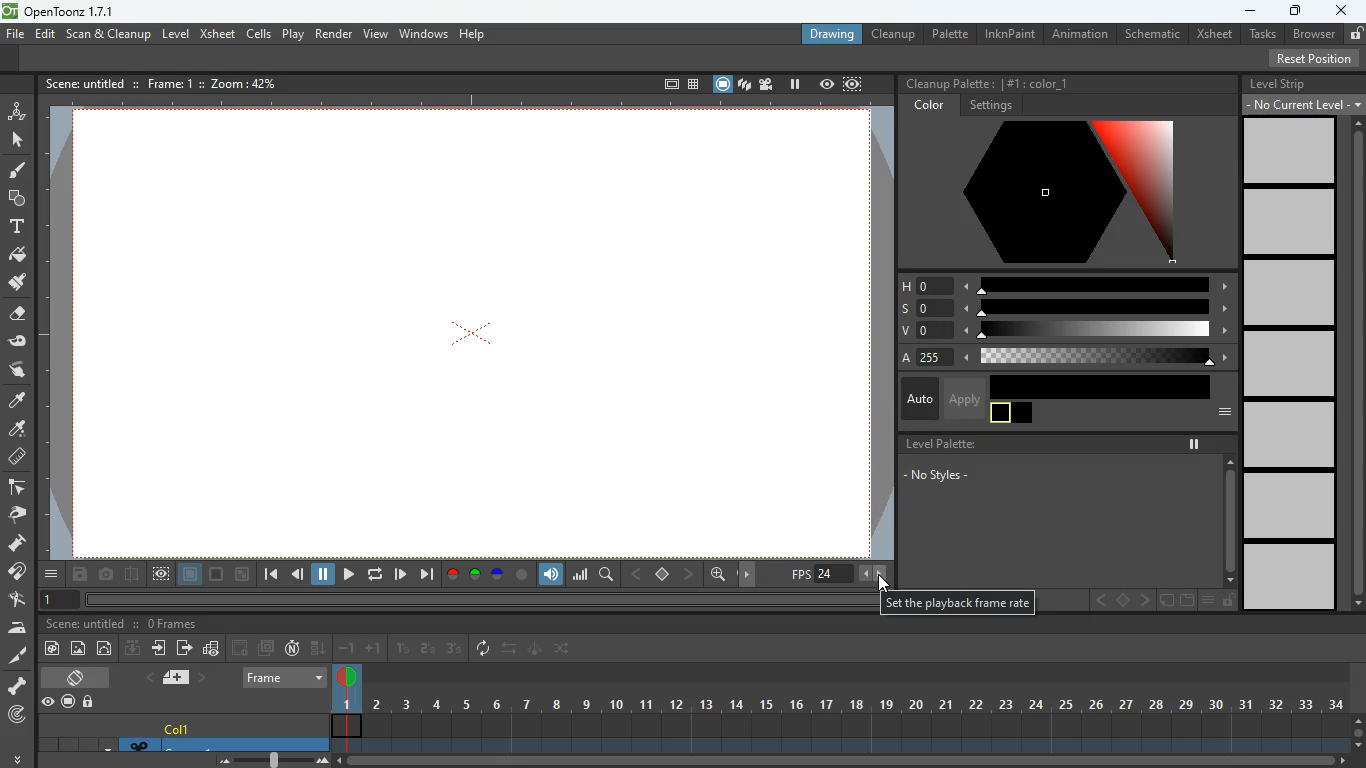 The width and height of the screenshot is (1366, 768). I want to click on record, so click(68, 702).